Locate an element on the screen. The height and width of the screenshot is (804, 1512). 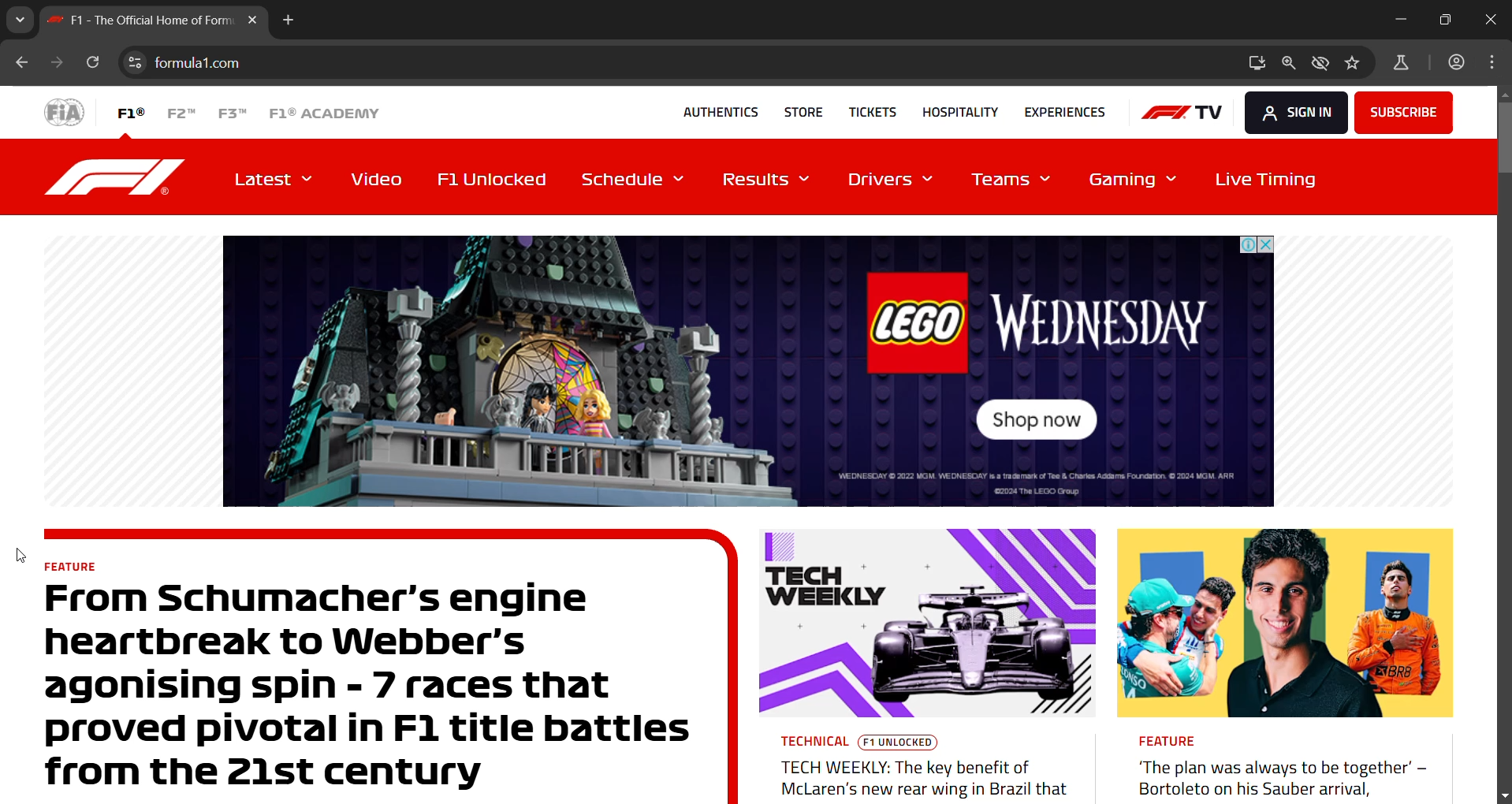
address bar is located at coordinates (698, 64).